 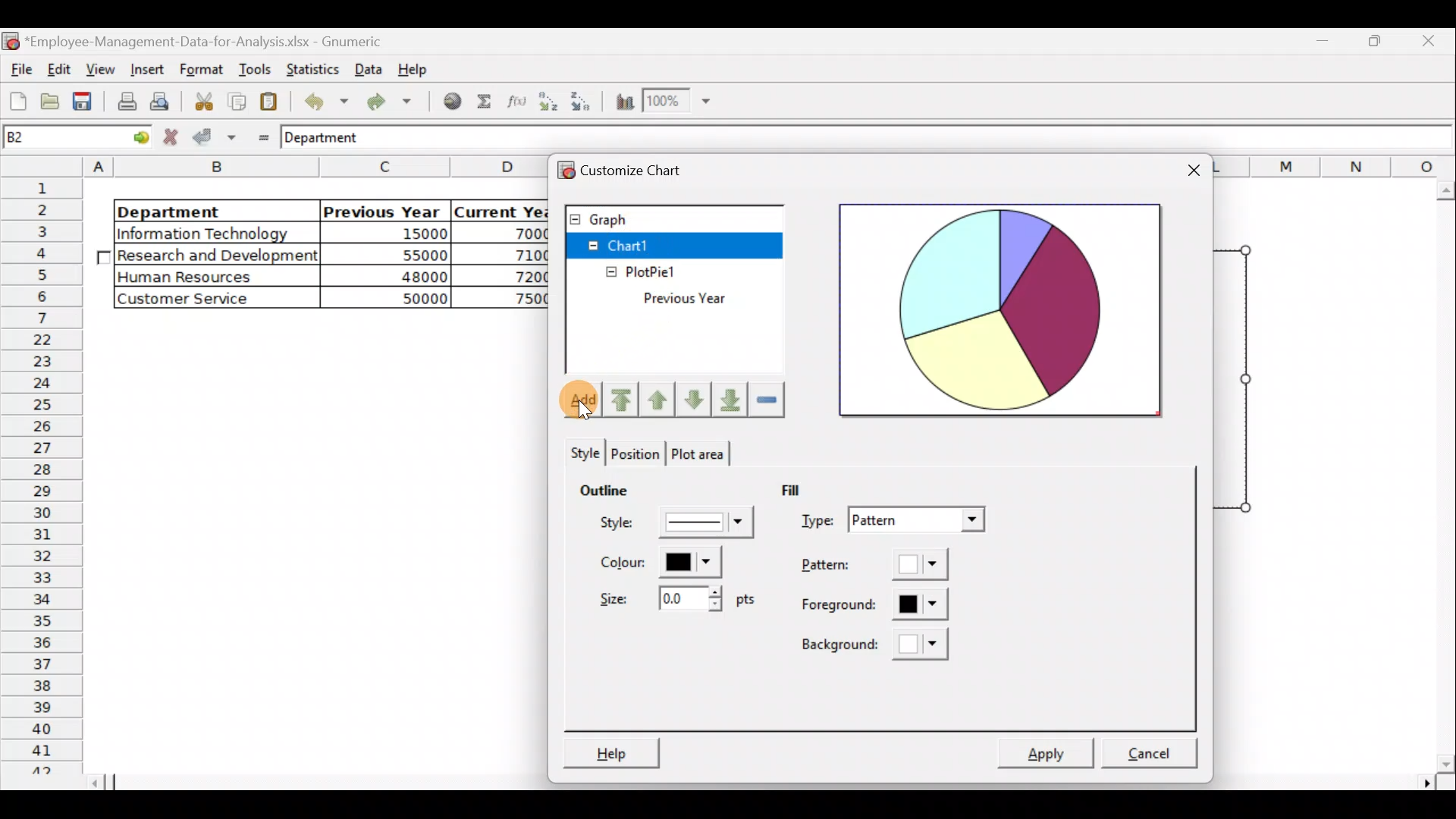 What do you see at coordinates (272, 102) in the screenshot?
I see `Paste the clipboard` at bounding box center [272, 102].